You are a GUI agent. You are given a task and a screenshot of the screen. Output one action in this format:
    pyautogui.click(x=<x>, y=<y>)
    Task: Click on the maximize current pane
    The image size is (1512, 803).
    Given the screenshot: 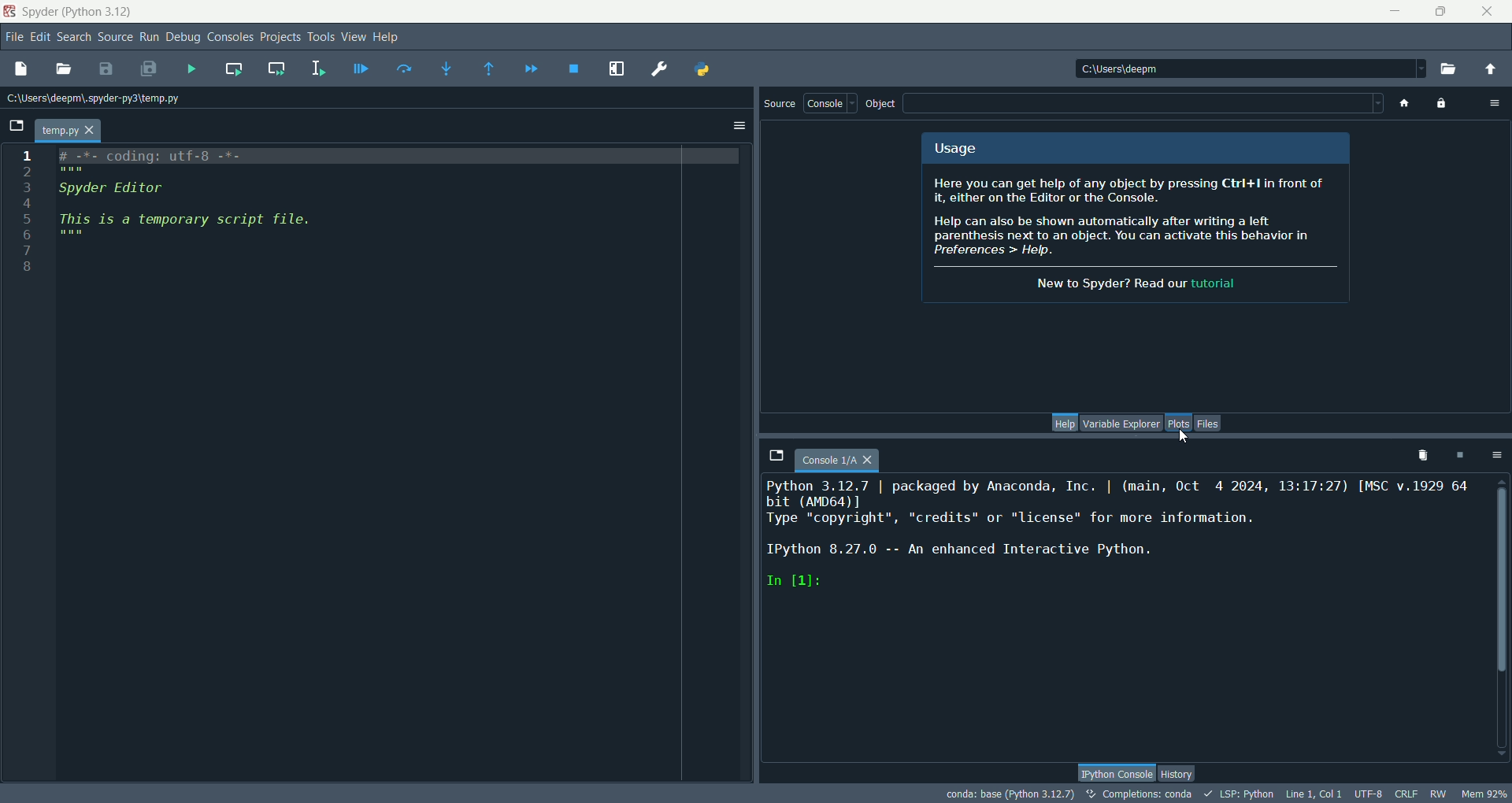 What is the action you would take?
    pyautogui.click(x=616, y=69)
    